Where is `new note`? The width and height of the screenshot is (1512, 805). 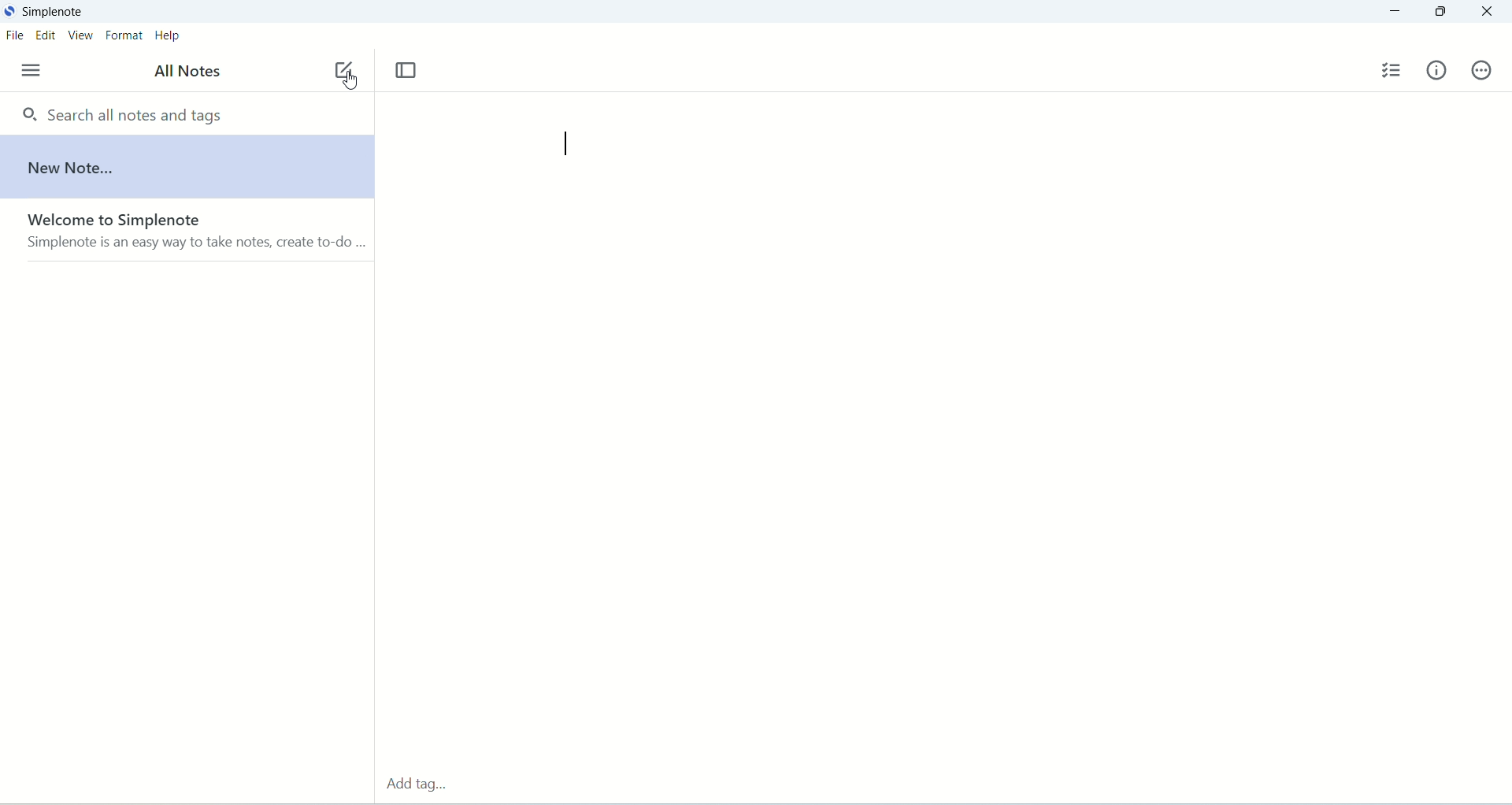 new note is located at coordinates (186, 166).